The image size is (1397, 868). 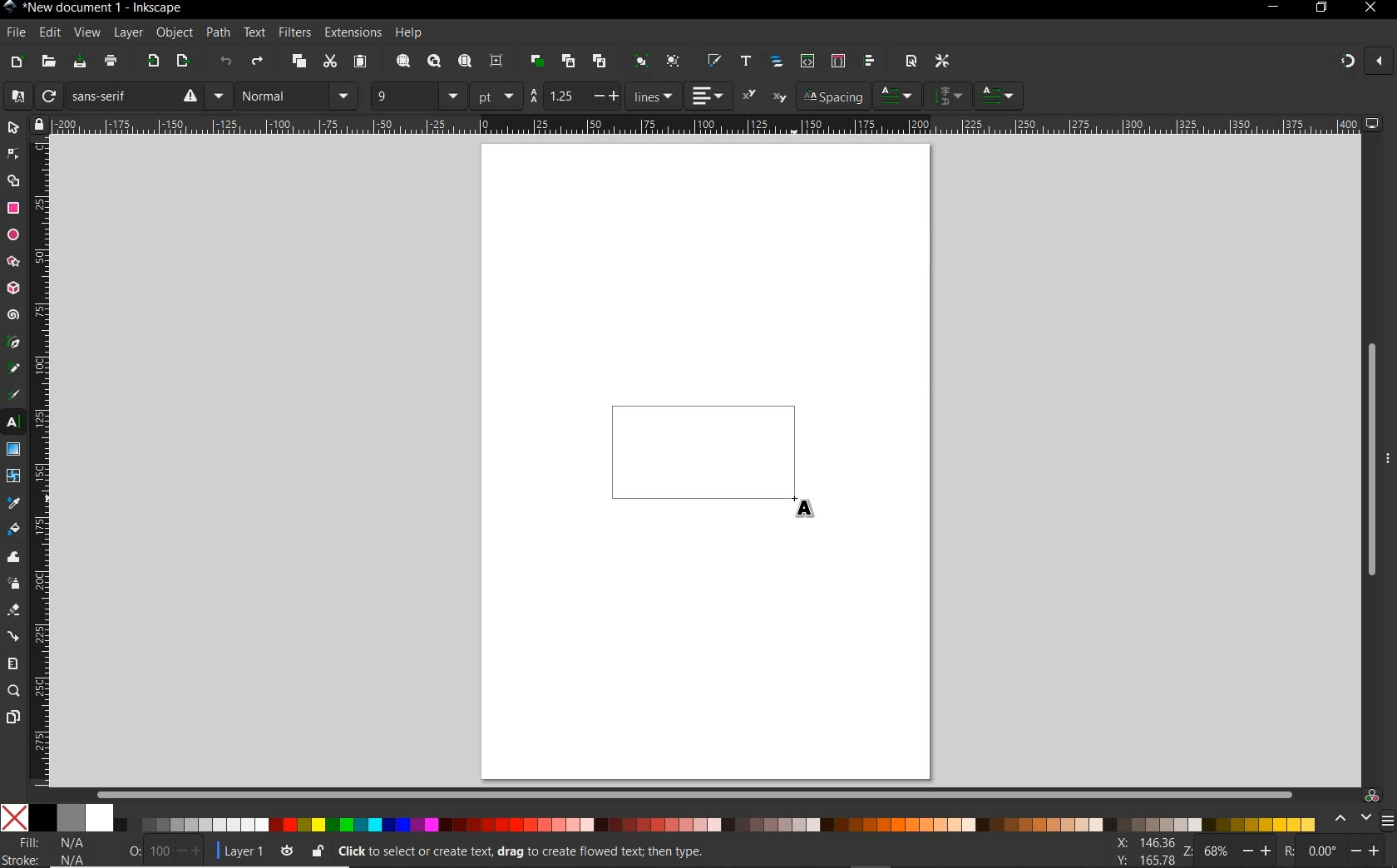 I want to click on subscript, so click(x=780, y=98).